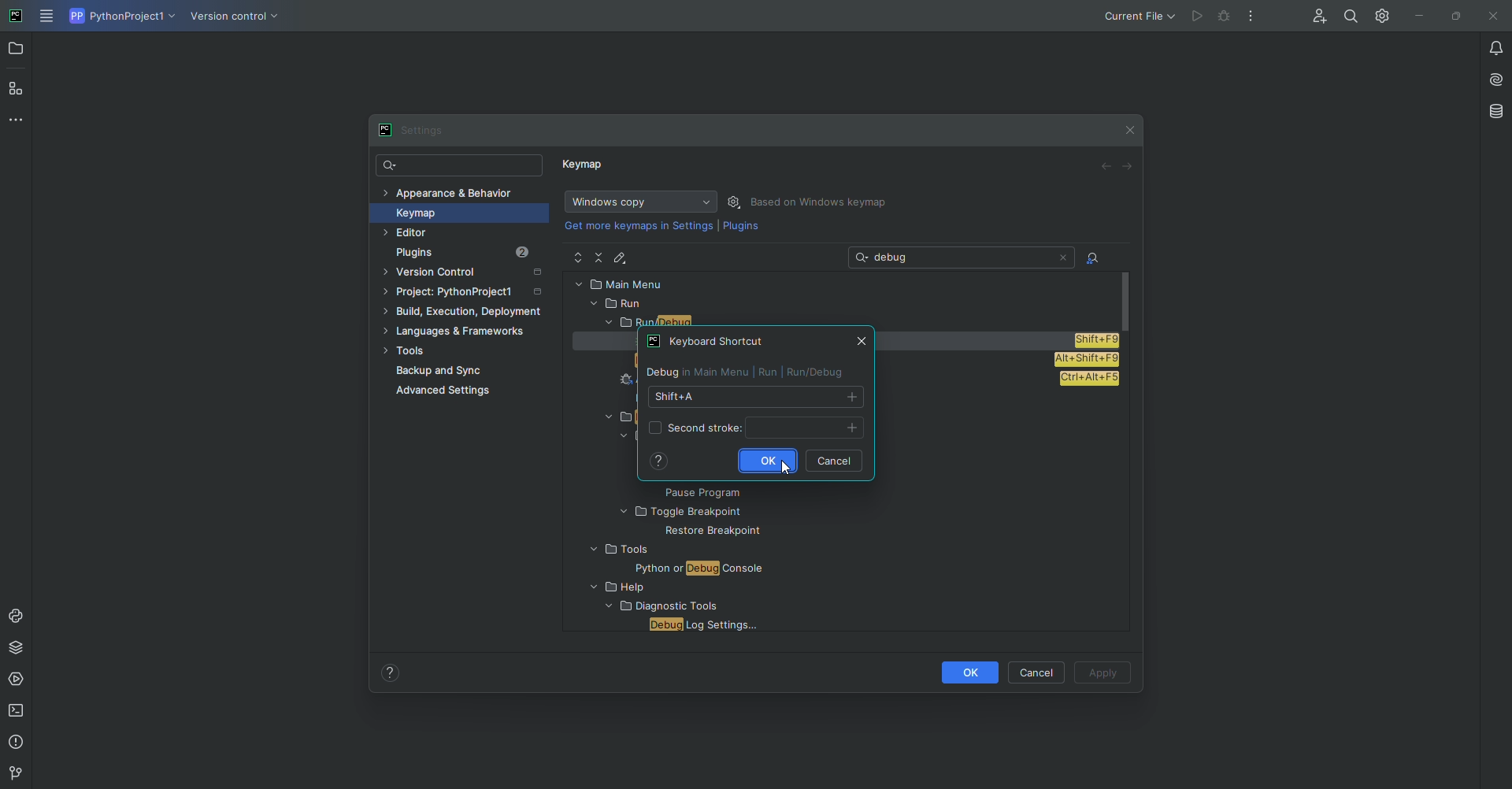 The width and height of the screenshot is (1512, 789). What do you see at coordinates (1138, 16) in the screenshot?
I see `Current file` at bounding box center [1138, 16].